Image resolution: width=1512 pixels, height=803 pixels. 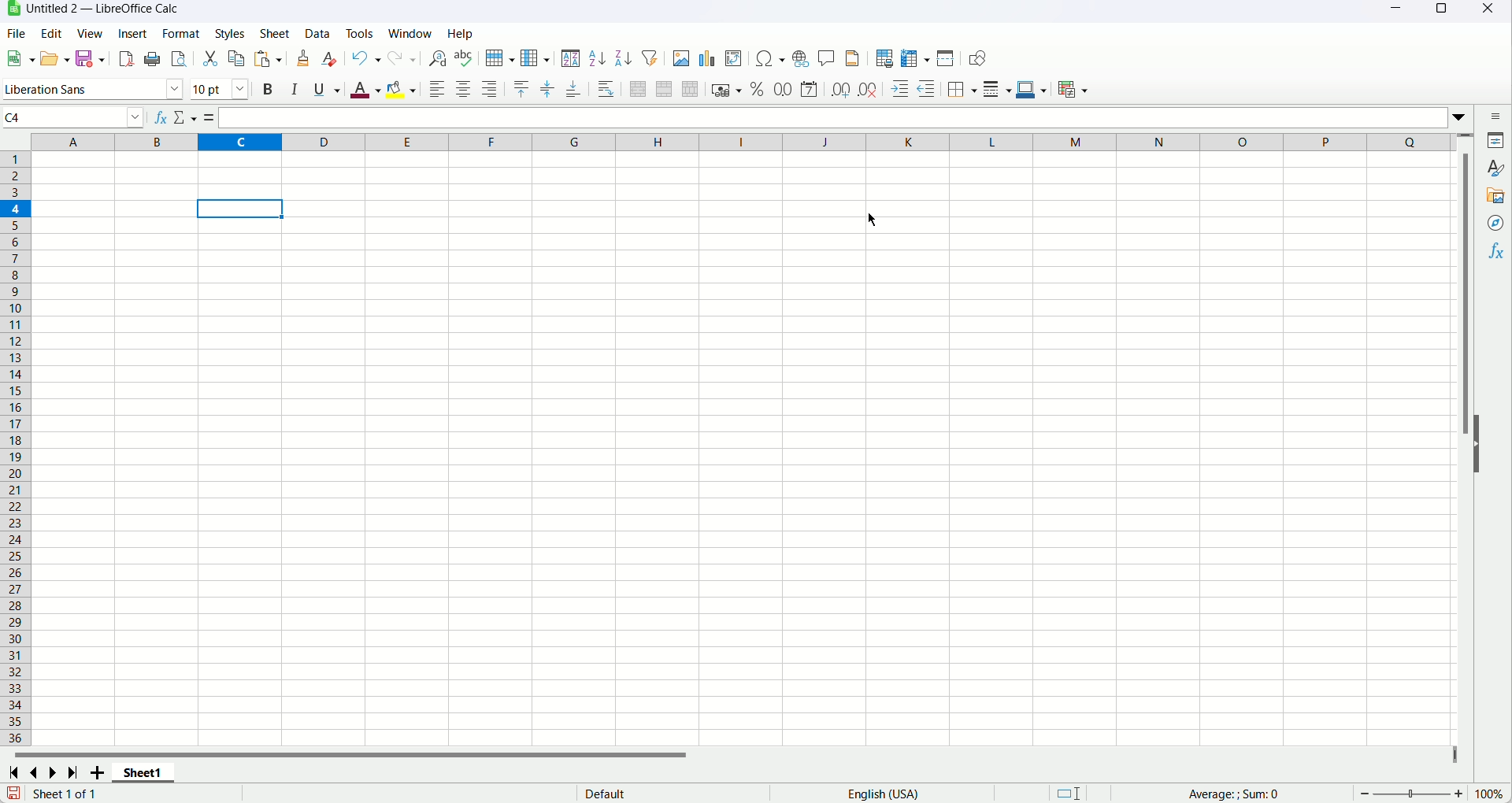 I want to click on Increase indent, so click(x=899, y=90).